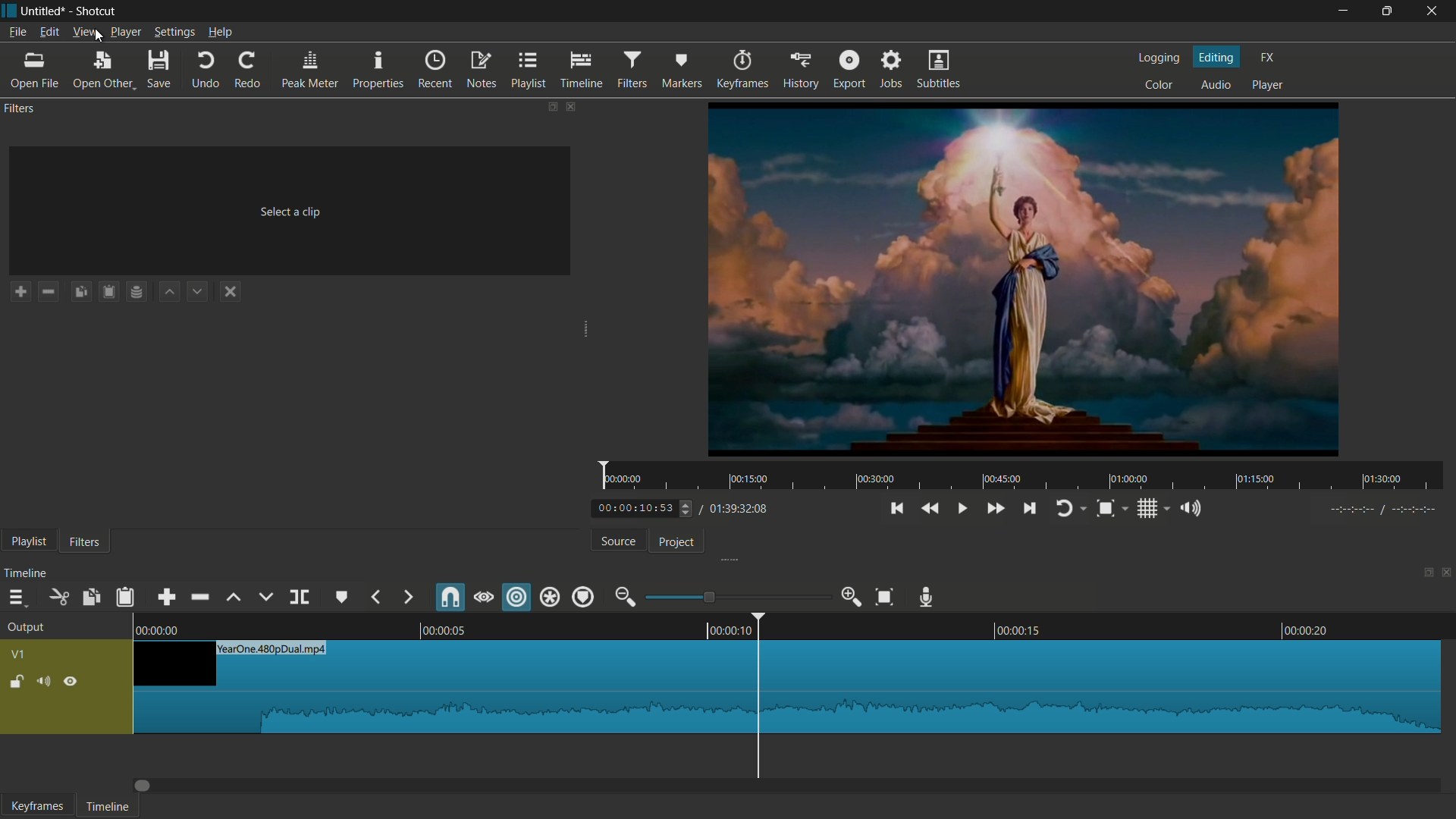  I want to click on toggle play or pause, so click(961, 509).